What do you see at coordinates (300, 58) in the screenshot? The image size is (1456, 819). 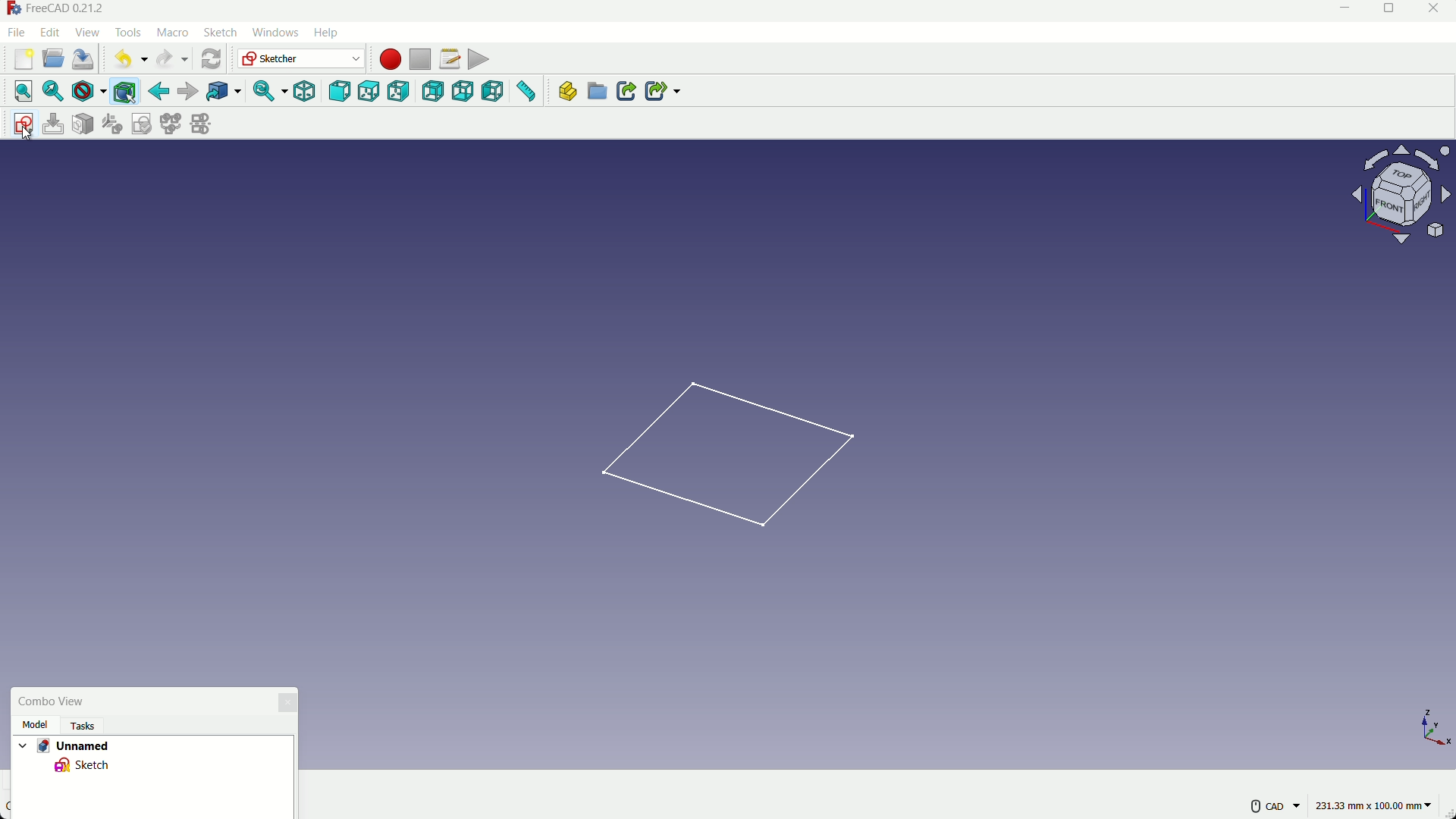 I see `switch workbenches` at bounding box center [300, 58].